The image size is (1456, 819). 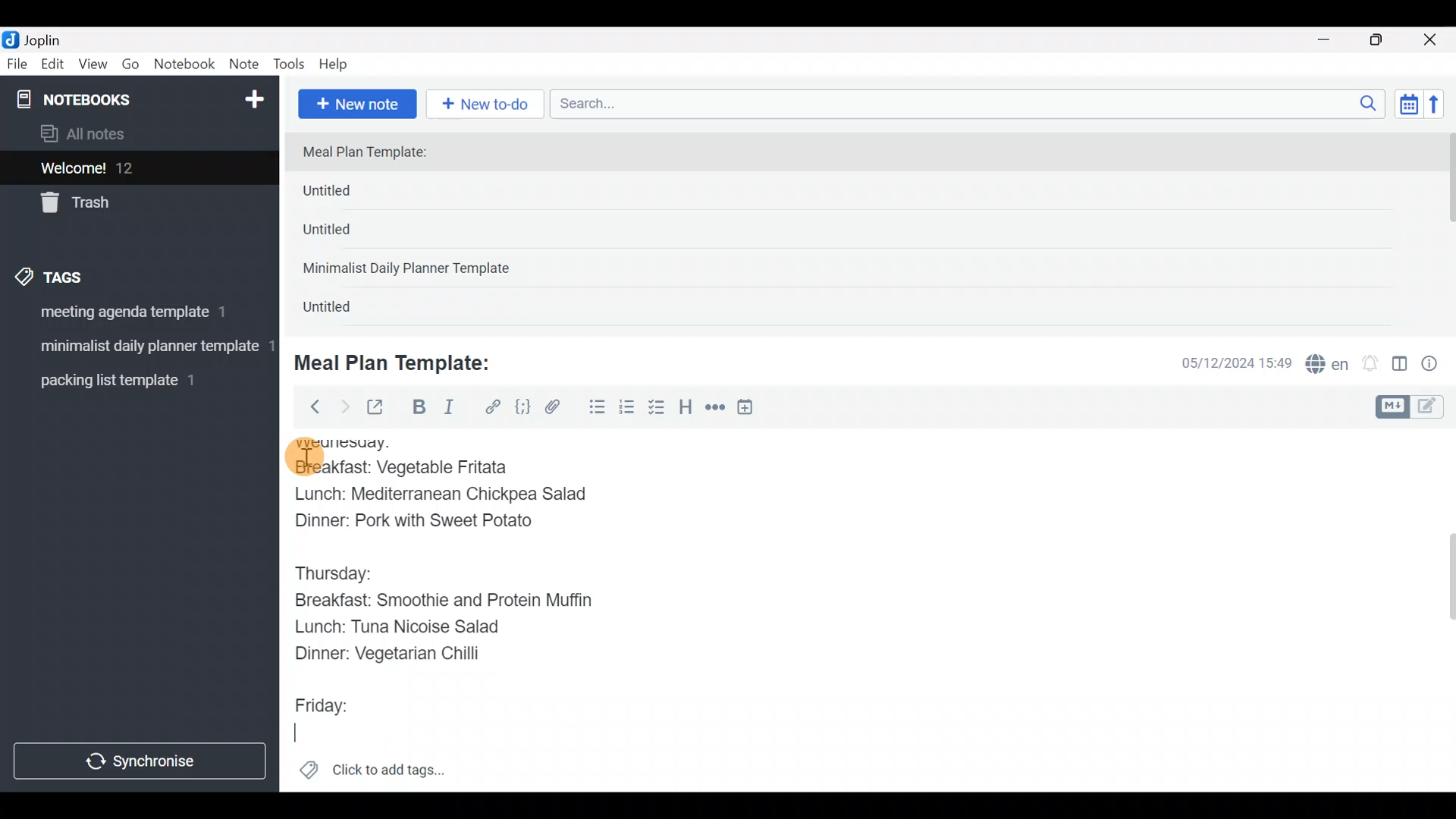 What do you see at coordinates (447, 410) in the screenshot?
I see `Italic` at bounding box center [447, 410].